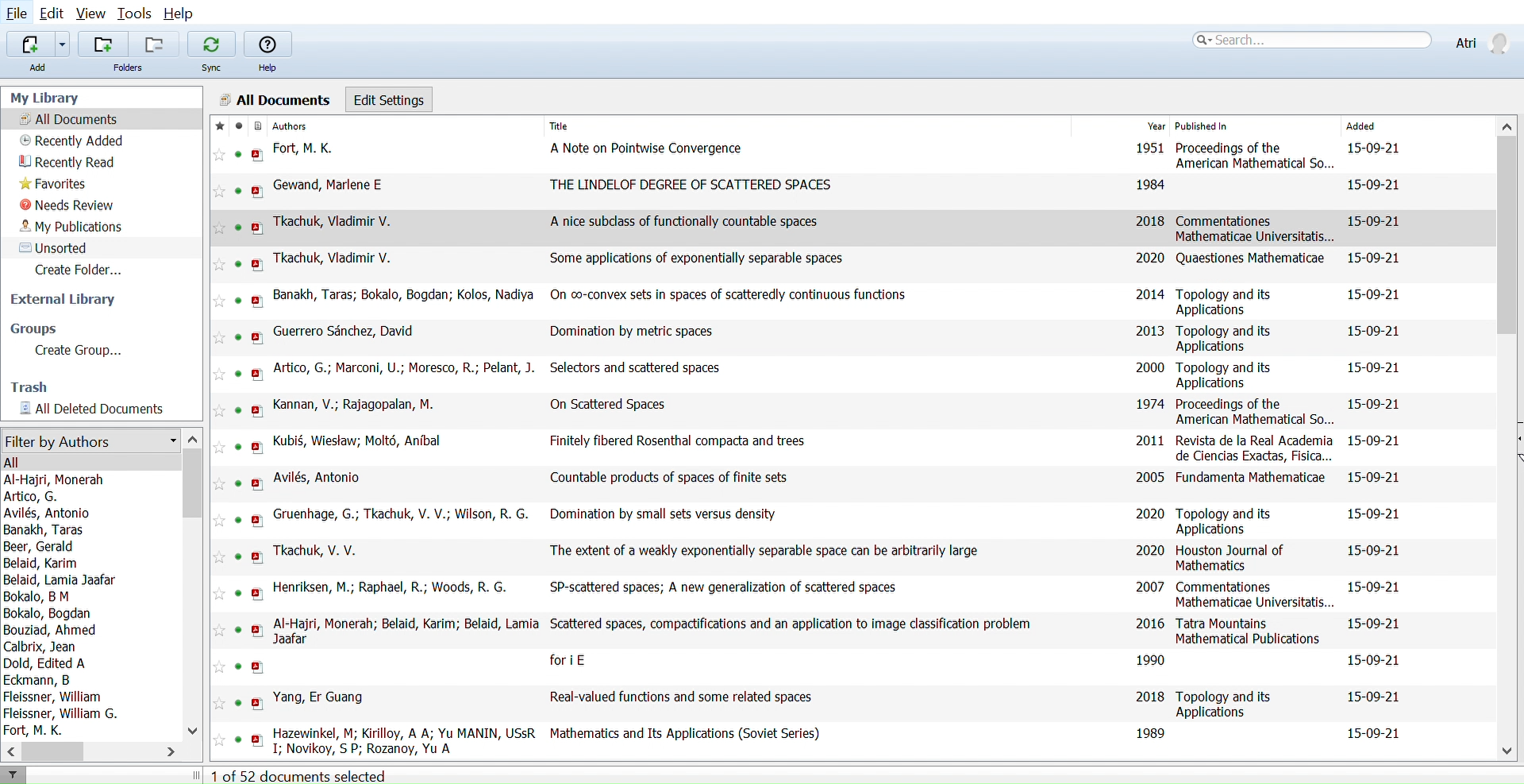 The width and height of the screenshot is (1524, 784). What do you see at coordinates (692, 185) in the screenshot?
I see `THE LINDELOF DEGREE OF SCATTERED SPACES` at bounding box center [692, 185].